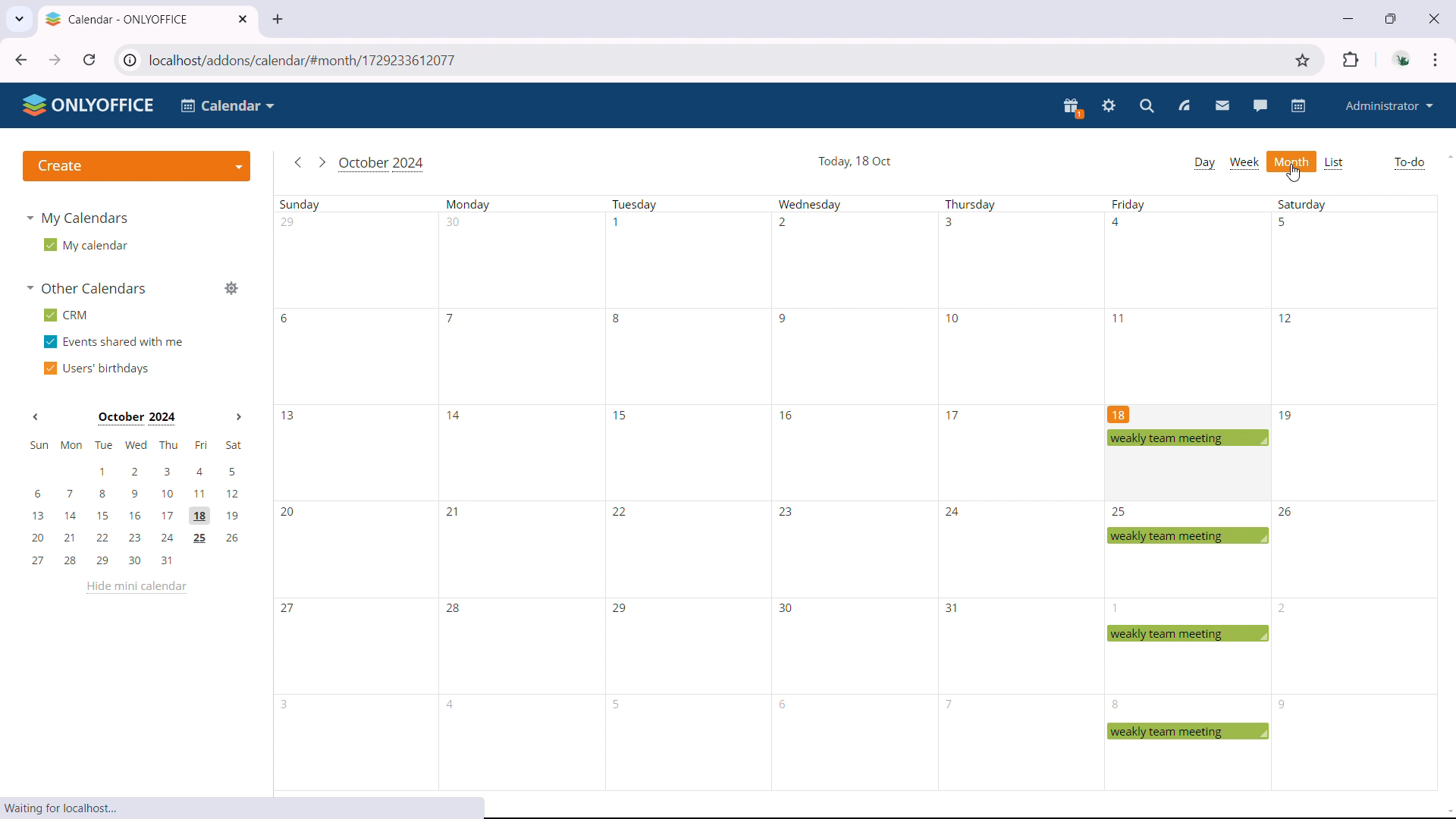 The width and height of the screenshot is (1456, 819). Describe the element at coordinates (1072, 108) in the screenshot. I see `present` at that location.